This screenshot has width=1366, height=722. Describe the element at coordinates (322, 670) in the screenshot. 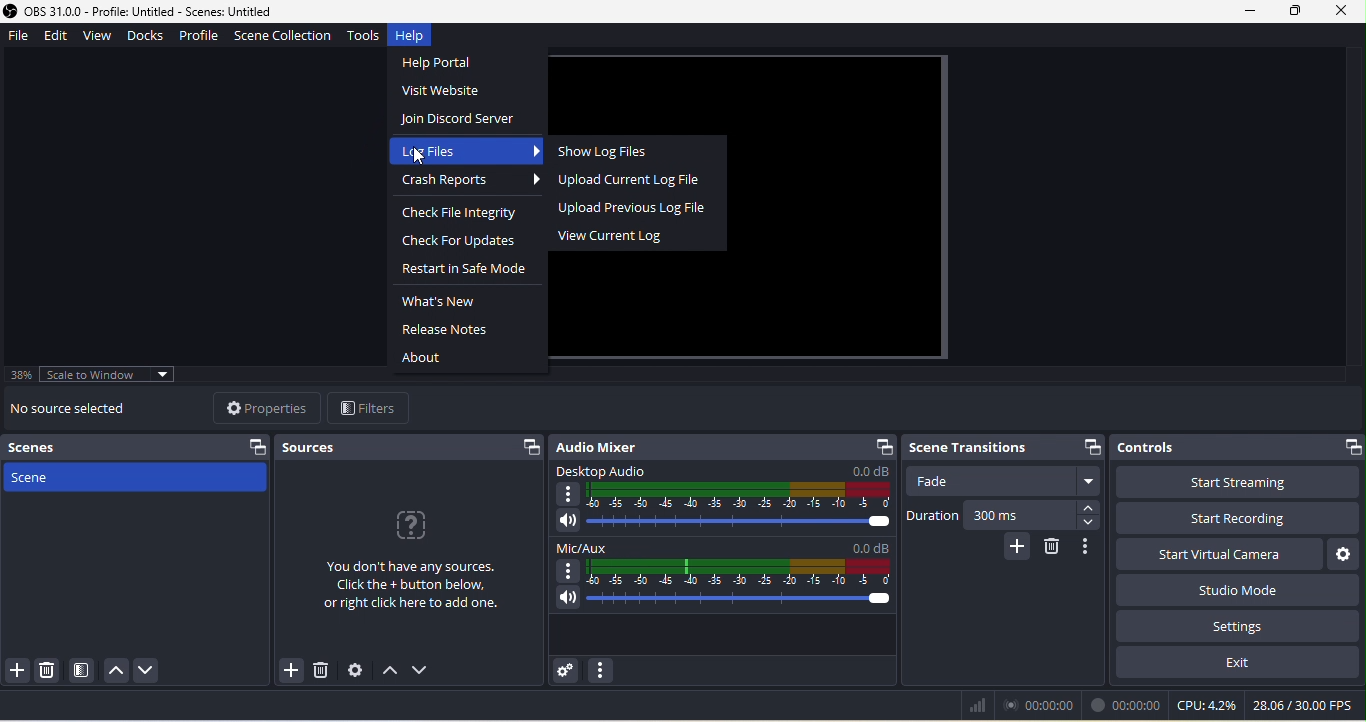

I see `remove selected source` at that location.